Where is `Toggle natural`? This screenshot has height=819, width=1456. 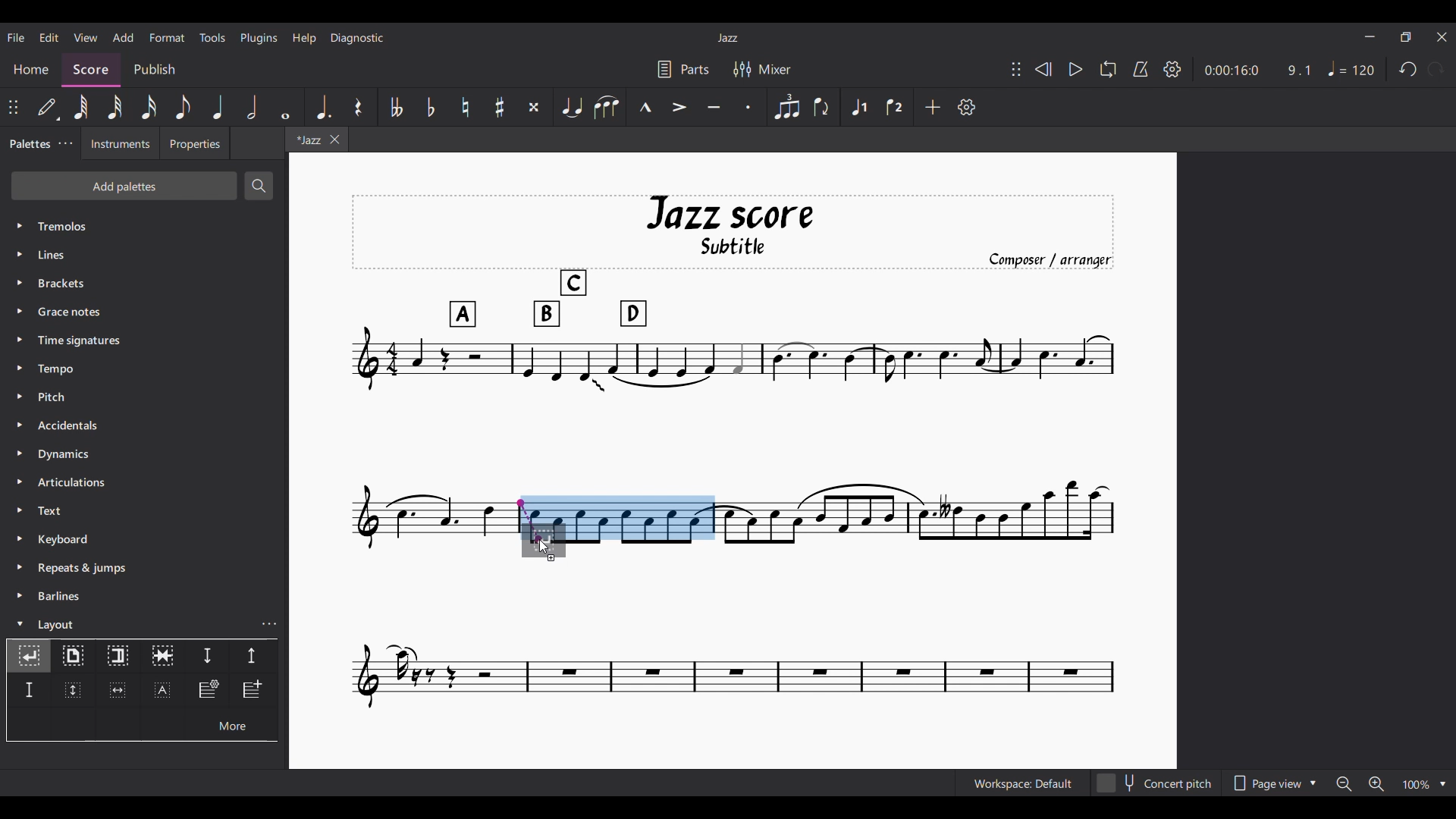 Toggle natural is located at coordinates (466, 107).